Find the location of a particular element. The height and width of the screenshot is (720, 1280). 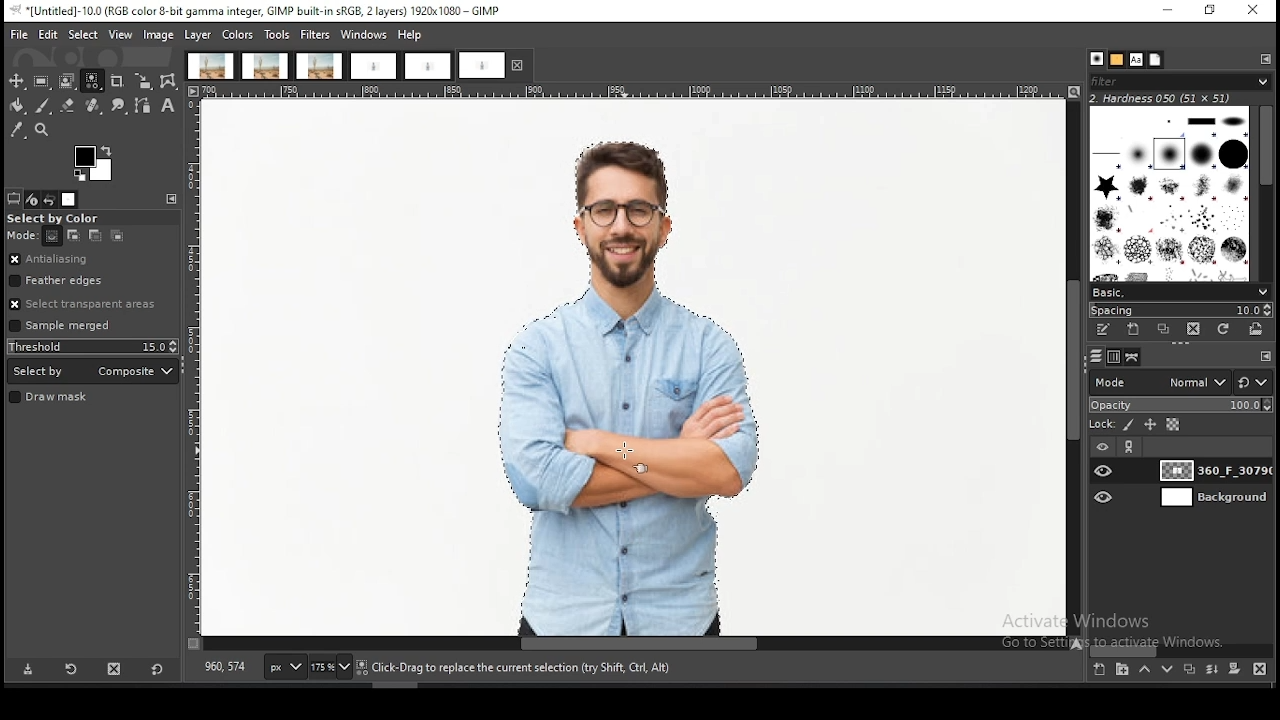

reset is located at coordinates (157, 667).